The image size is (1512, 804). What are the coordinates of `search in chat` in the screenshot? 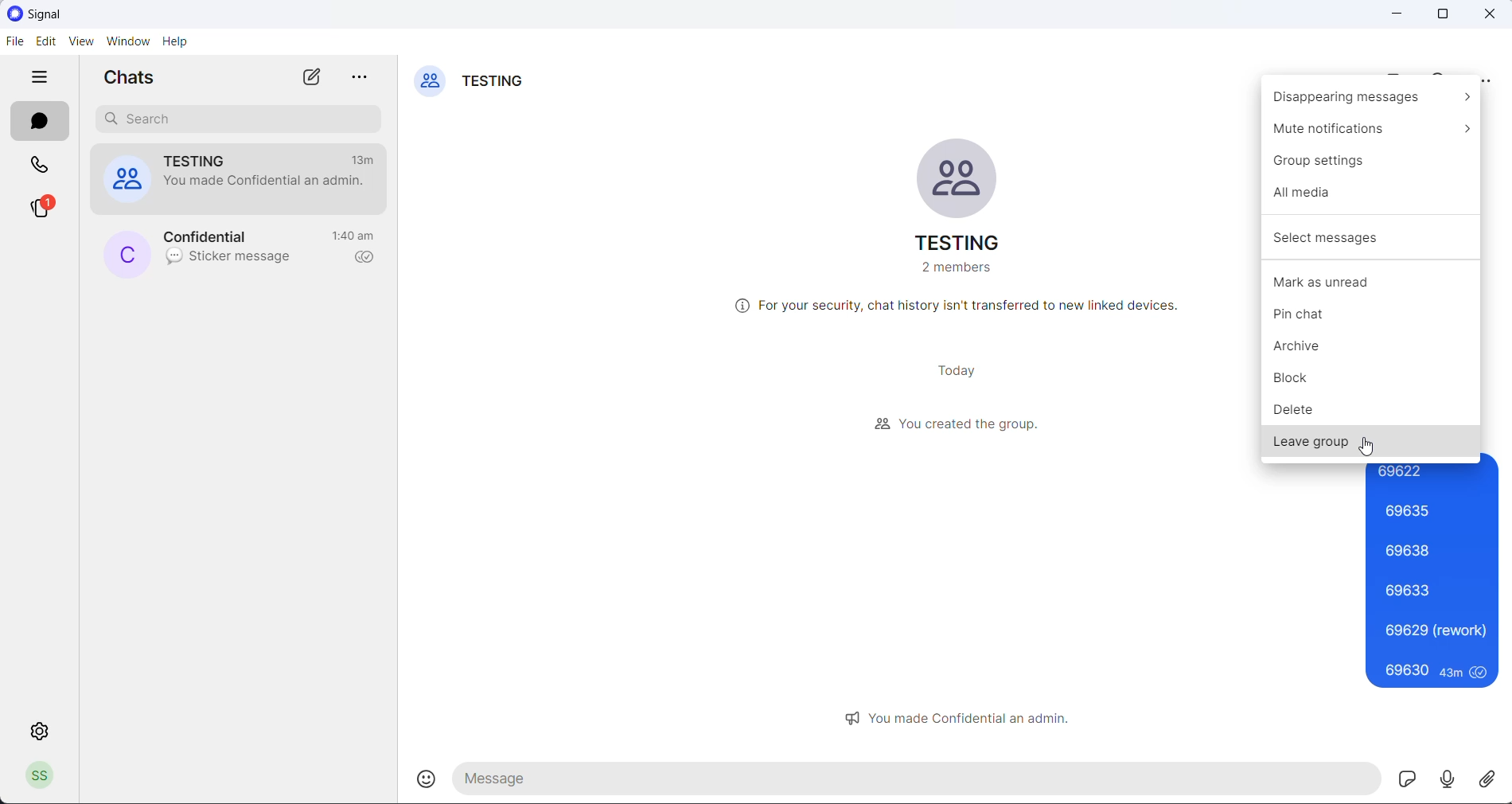 It's located at (1443, 72).